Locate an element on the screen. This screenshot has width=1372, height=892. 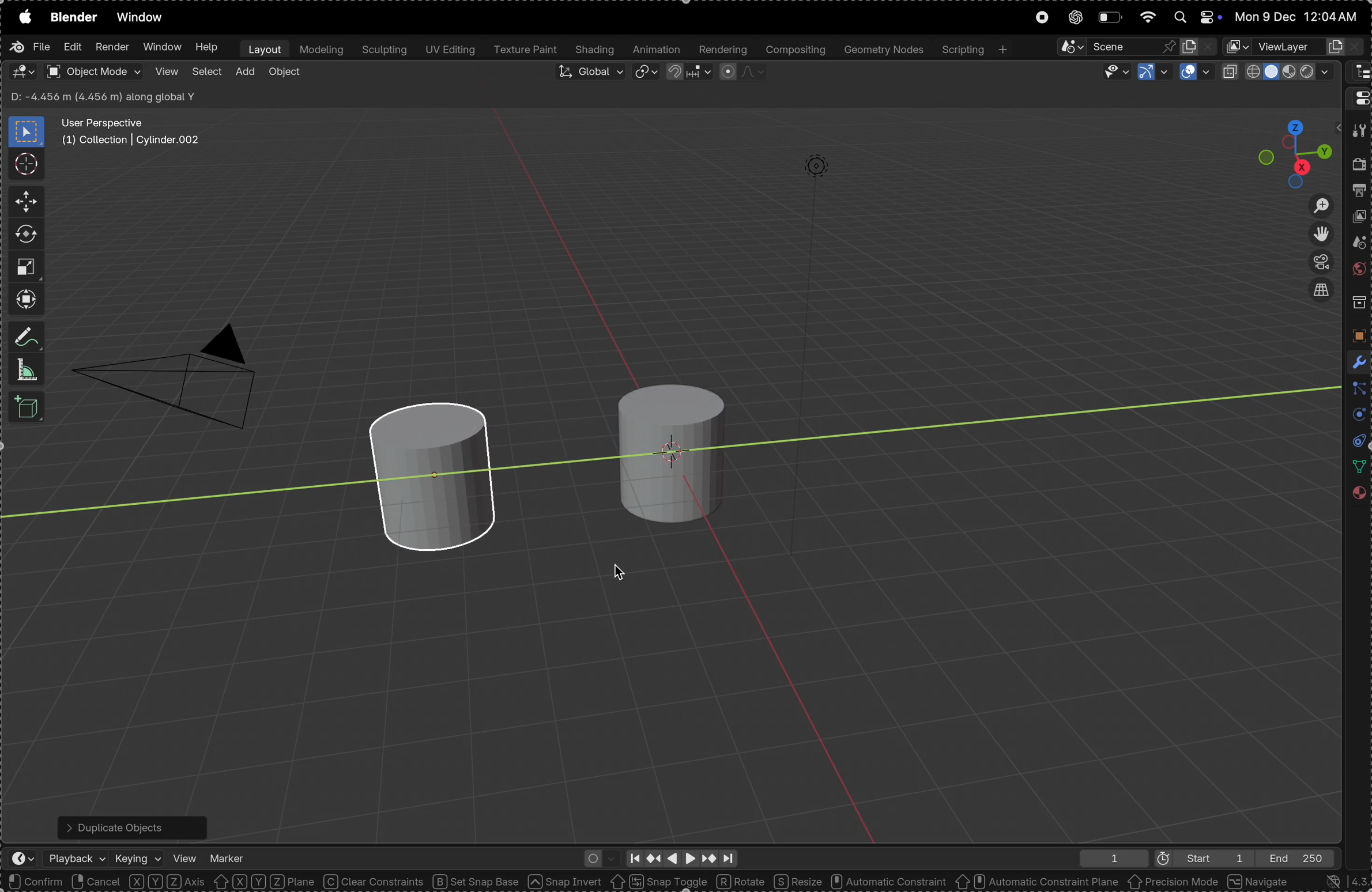
select current views is located at coordinates (1320, 294).